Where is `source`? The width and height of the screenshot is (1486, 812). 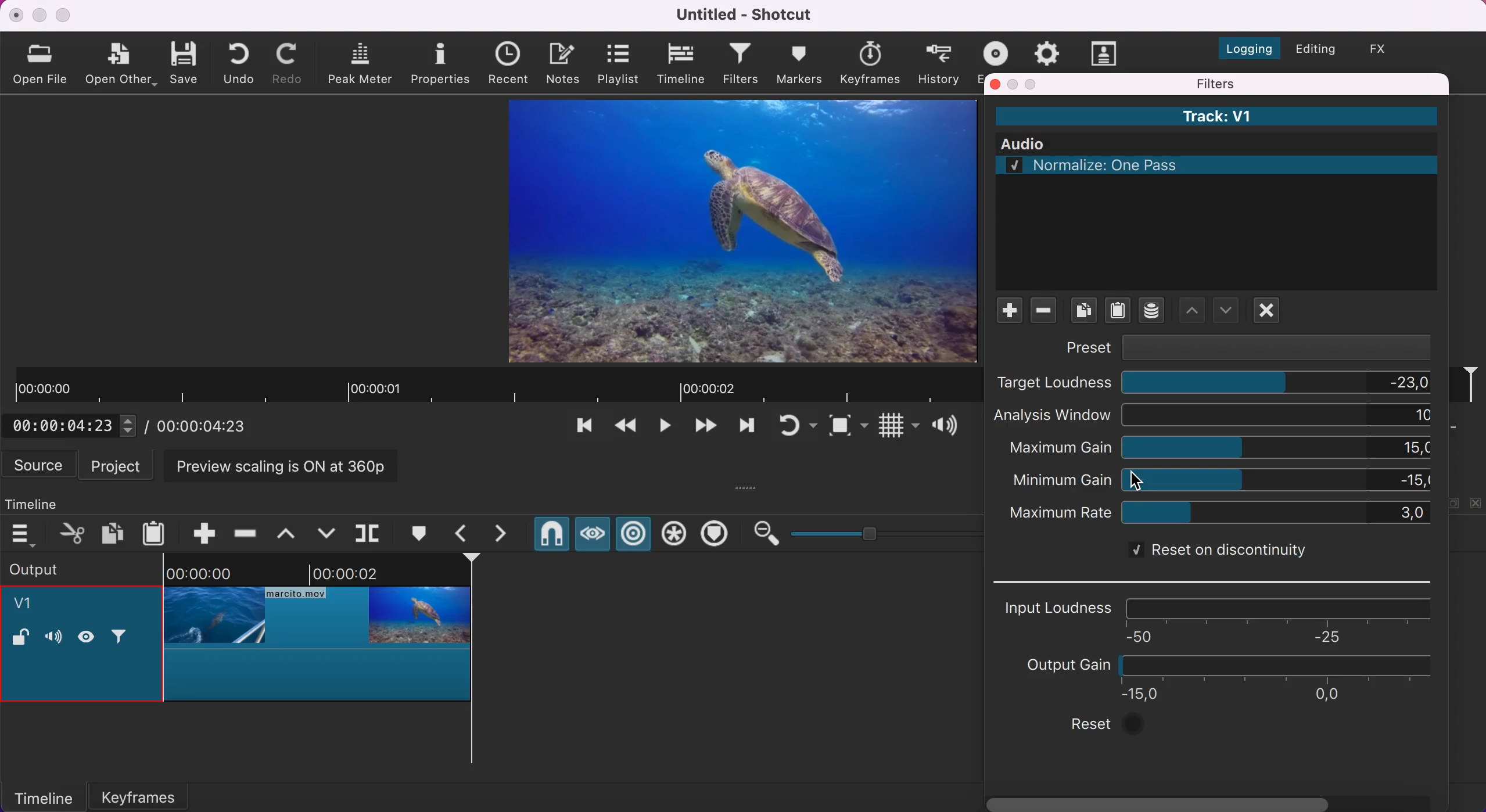 source is located at coordinates (40, 465).